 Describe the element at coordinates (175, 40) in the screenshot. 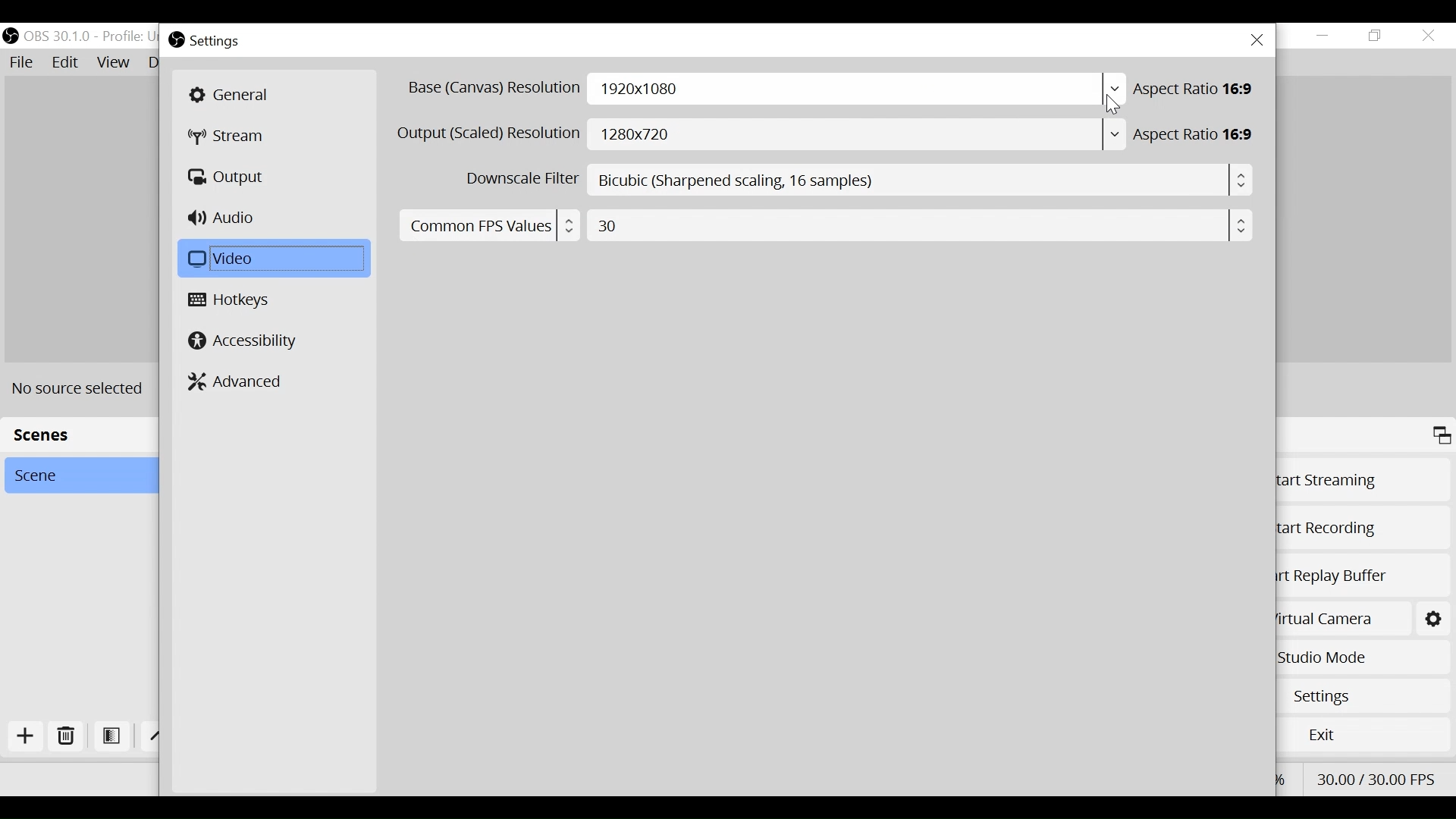

I see `OBS Studio Desktop Icon` at that location.